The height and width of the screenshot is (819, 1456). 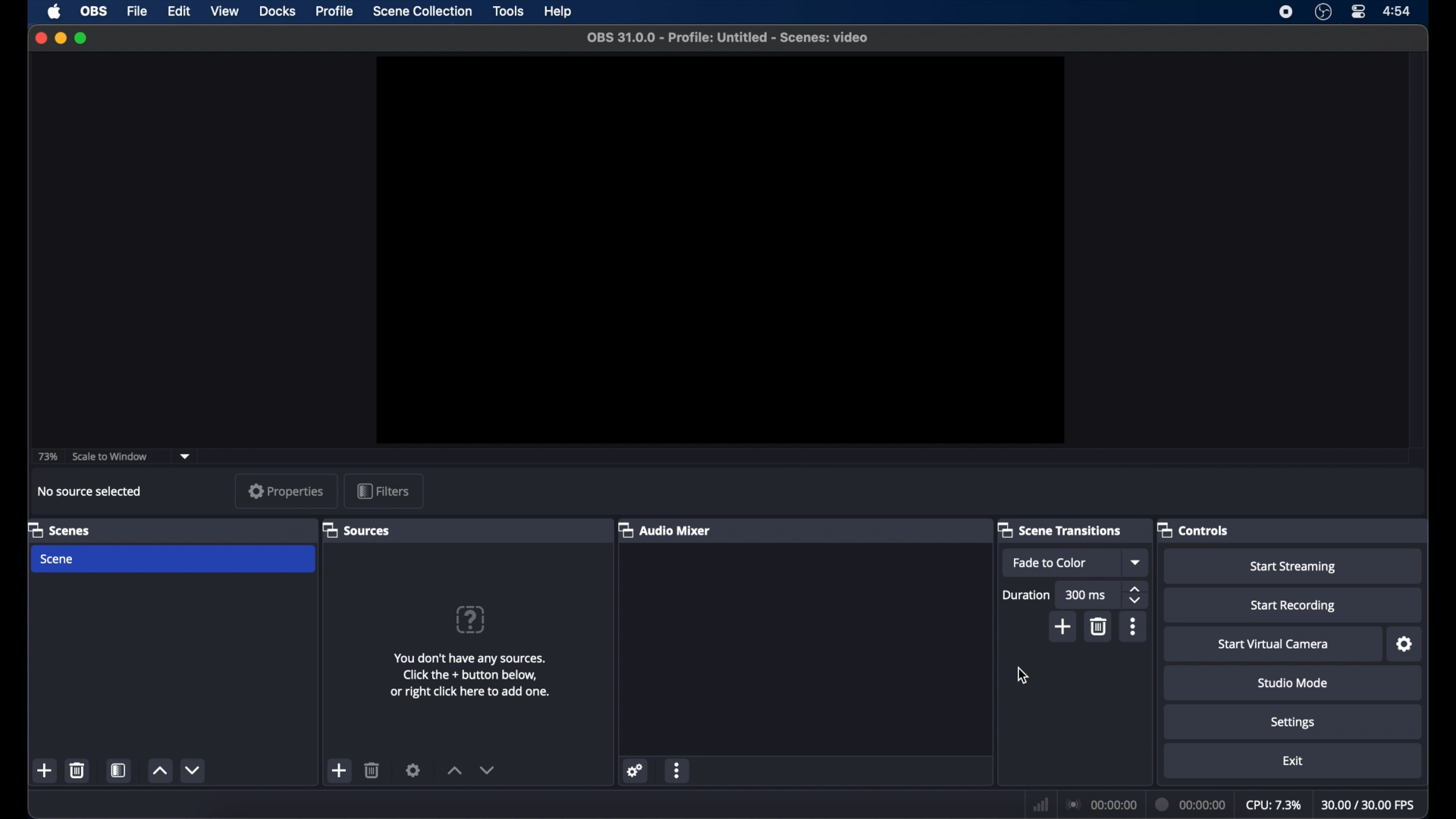 I want to click on close, so click(x=40, y=38).